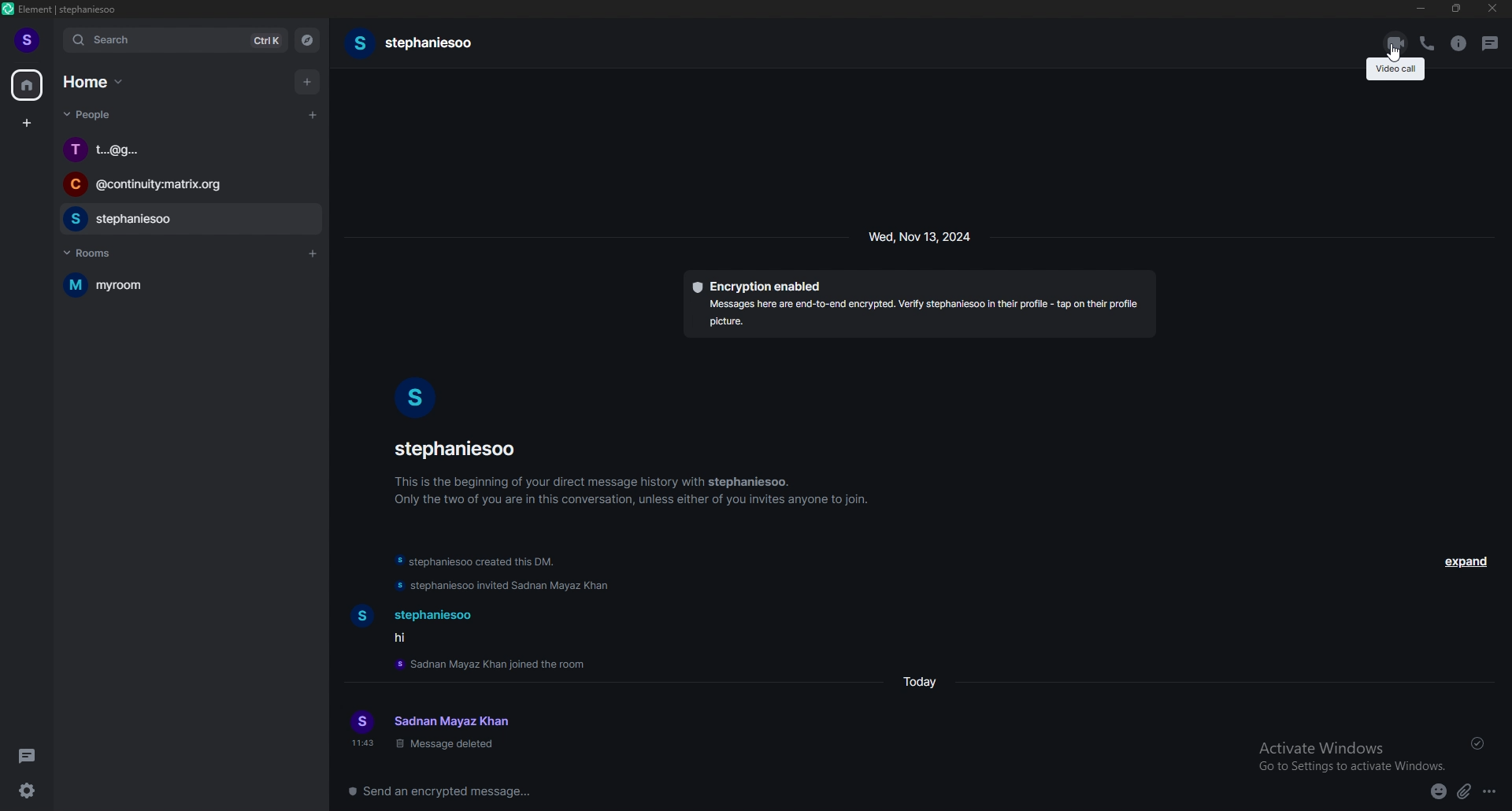  I want to click on add room, so click(314, 254).